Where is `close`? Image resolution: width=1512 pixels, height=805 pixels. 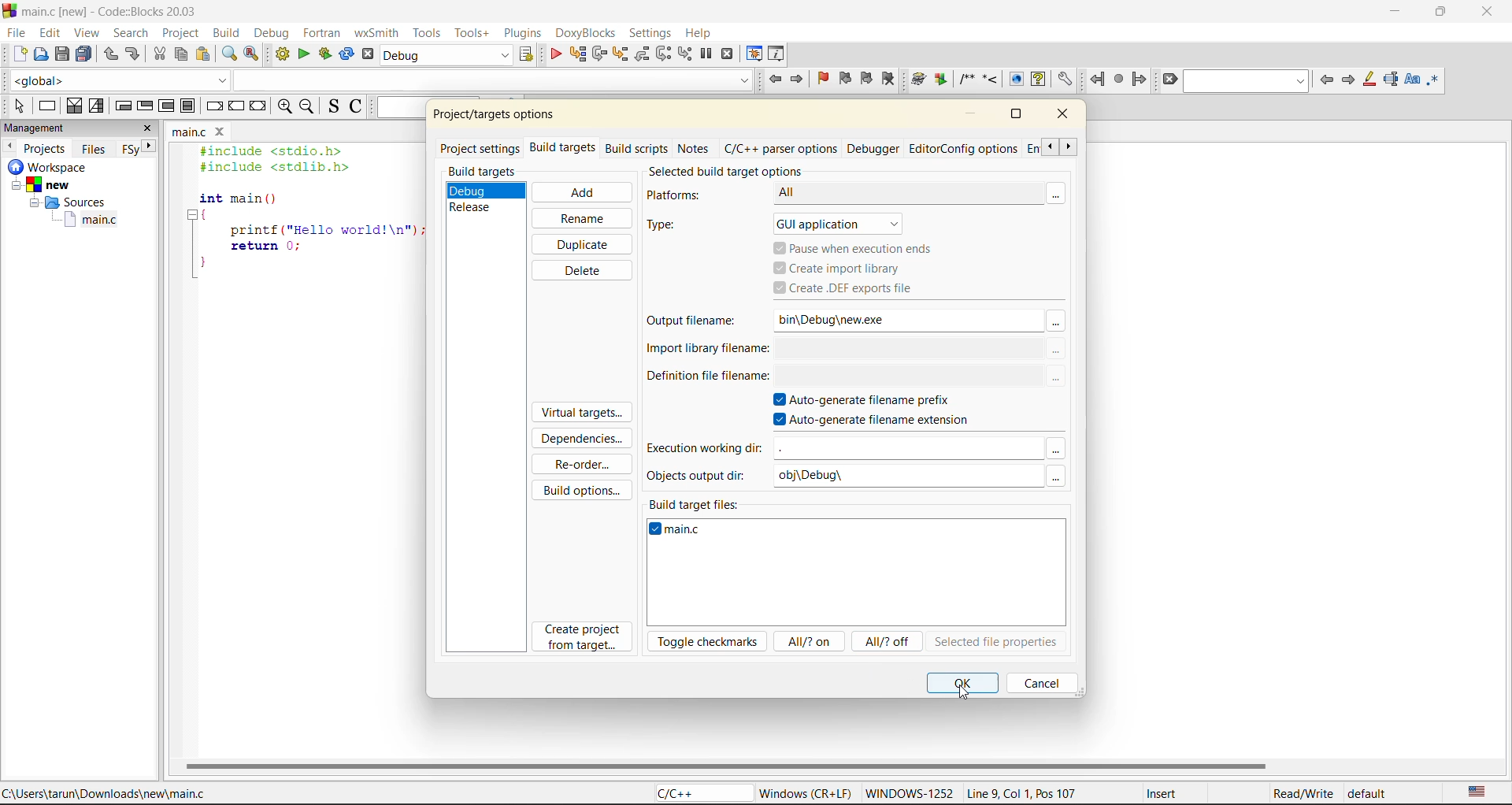 close is located at coordinates (1064, 114).